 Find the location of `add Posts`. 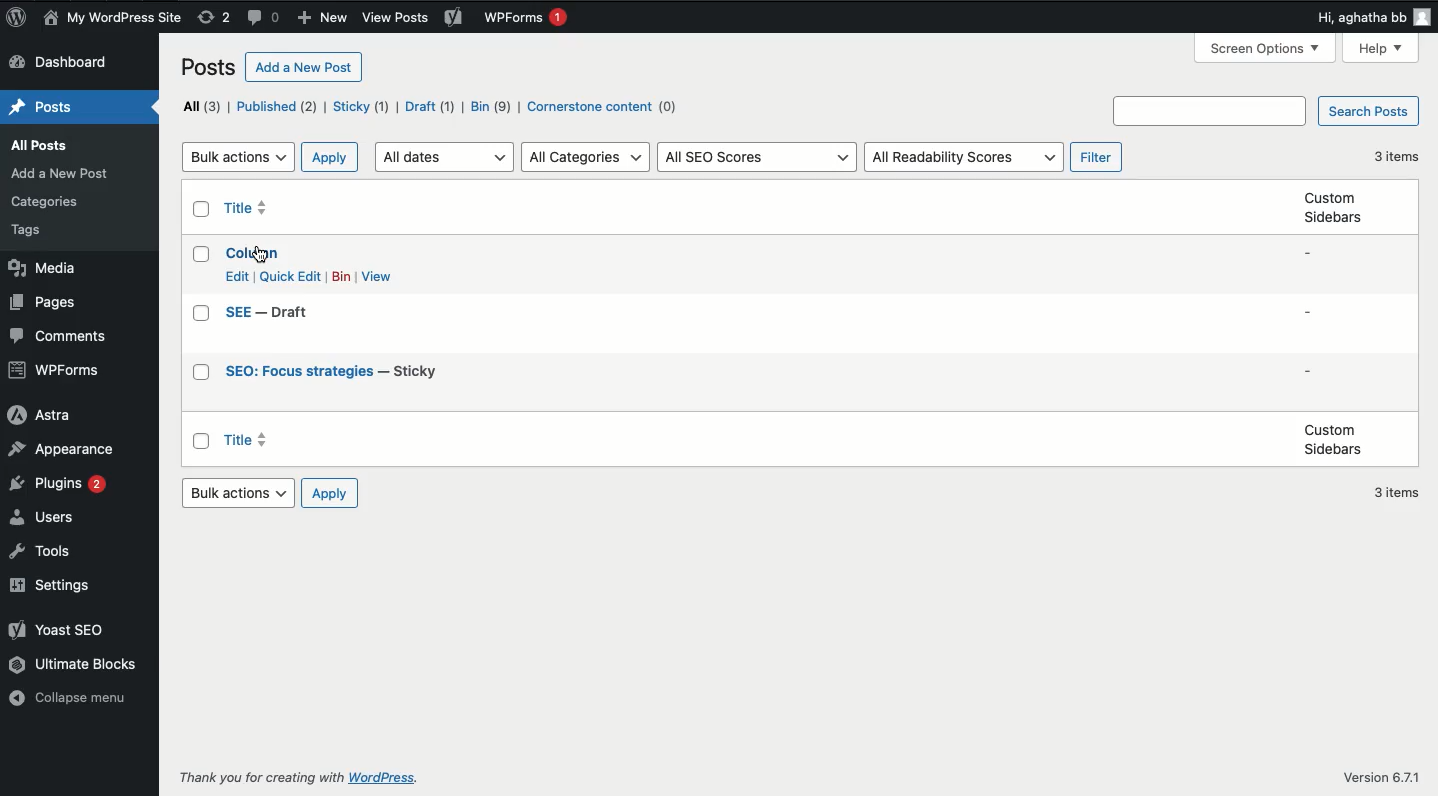

add Posts is located at coordinates (61, 174).